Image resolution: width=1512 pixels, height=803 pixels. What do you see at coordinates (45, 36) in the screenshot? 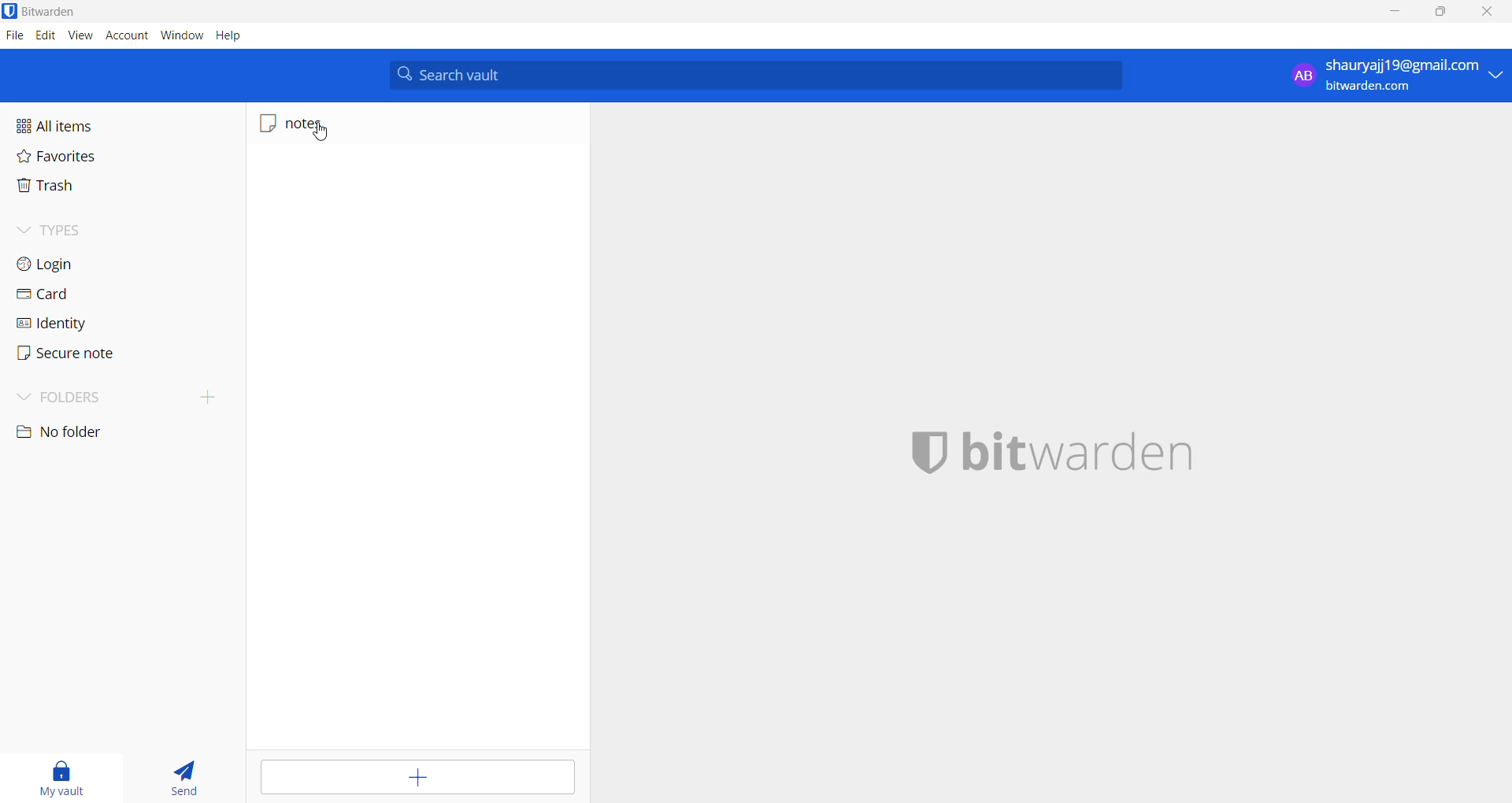
I see `edit` at bounding box center [45, 36].